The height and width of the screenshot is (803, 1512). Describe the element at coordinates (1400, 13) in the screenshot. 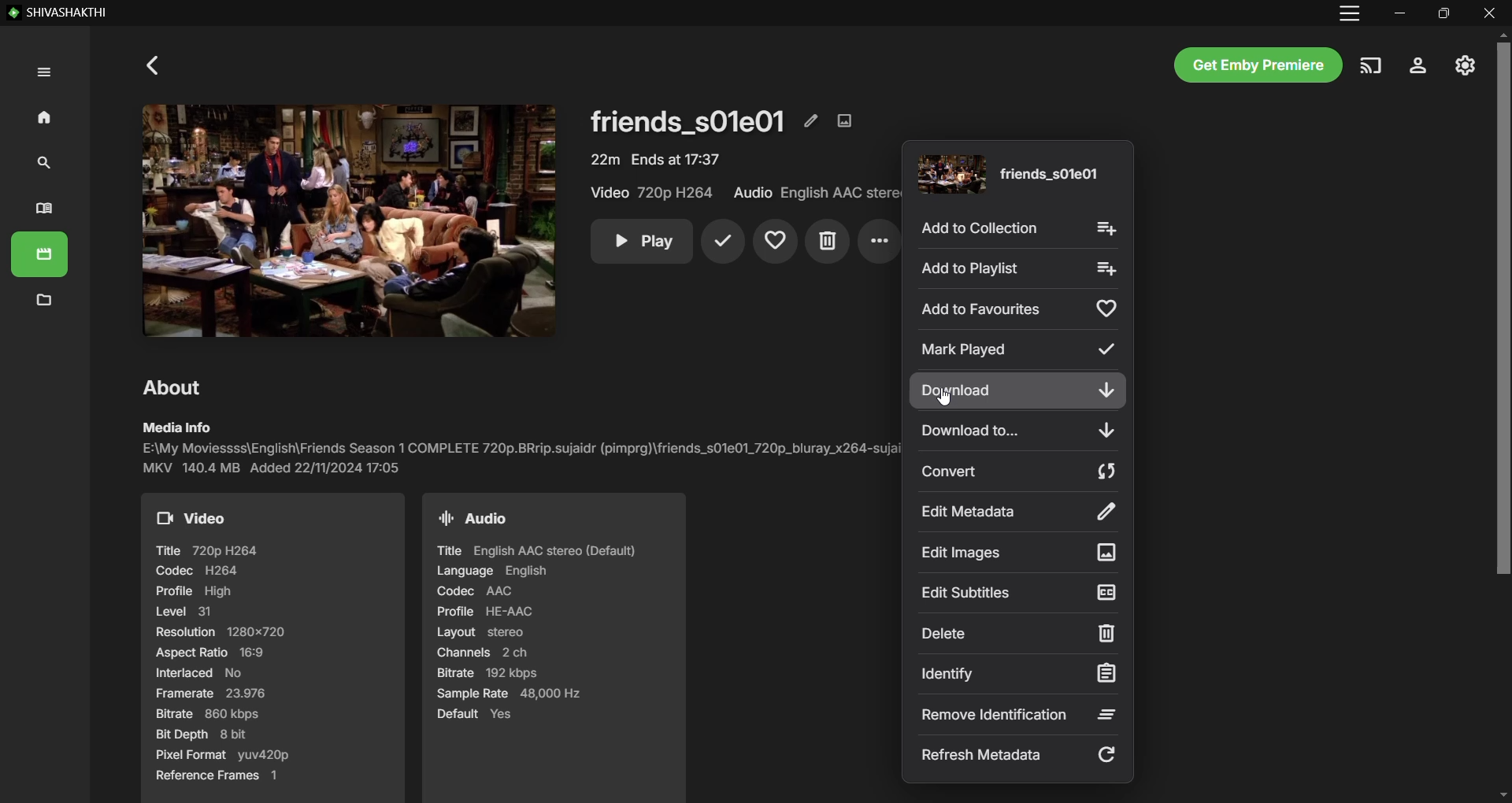

I see `Minimize` at that location.